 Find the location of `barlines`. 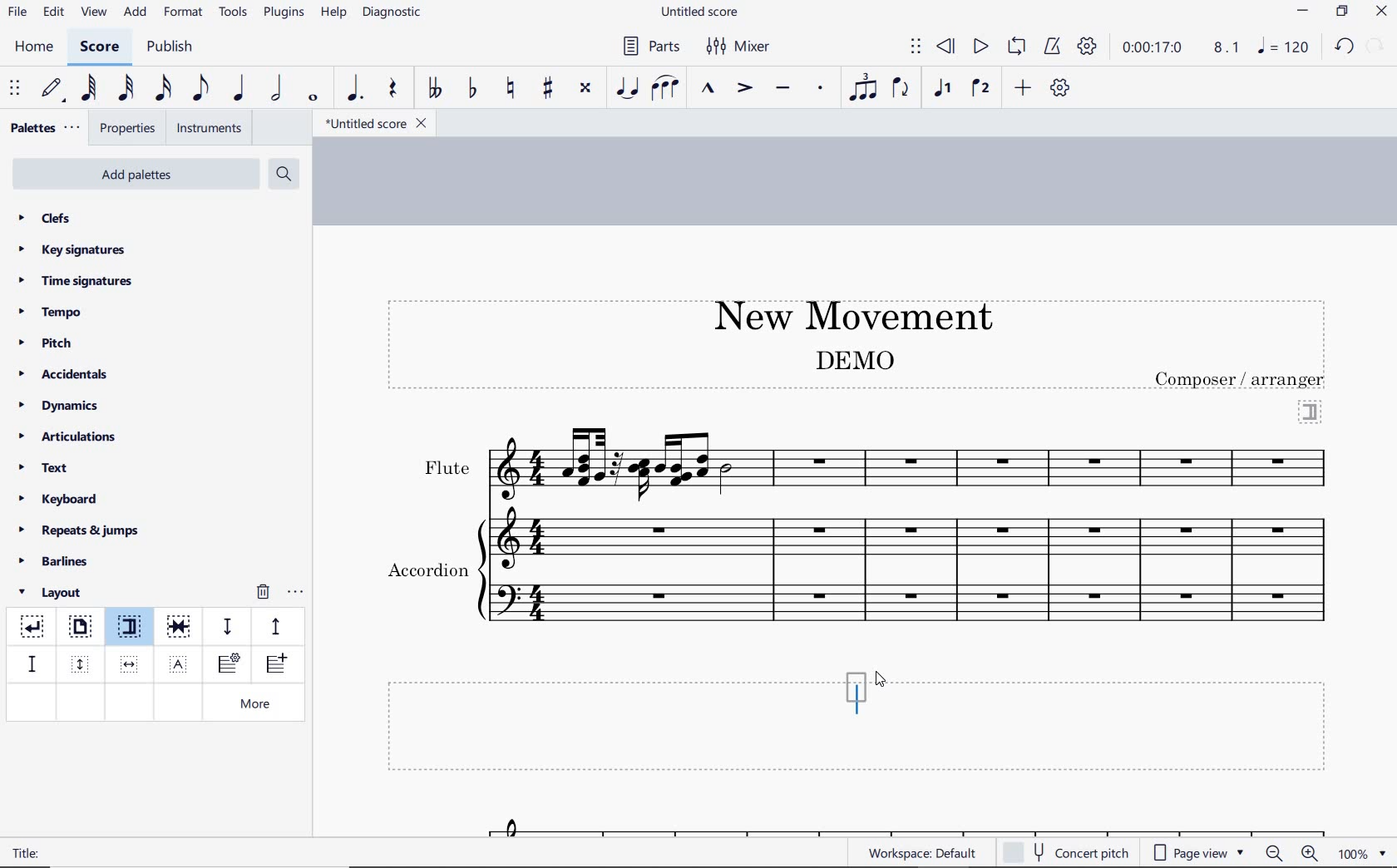

barlines is located at coordinates (59, 562).